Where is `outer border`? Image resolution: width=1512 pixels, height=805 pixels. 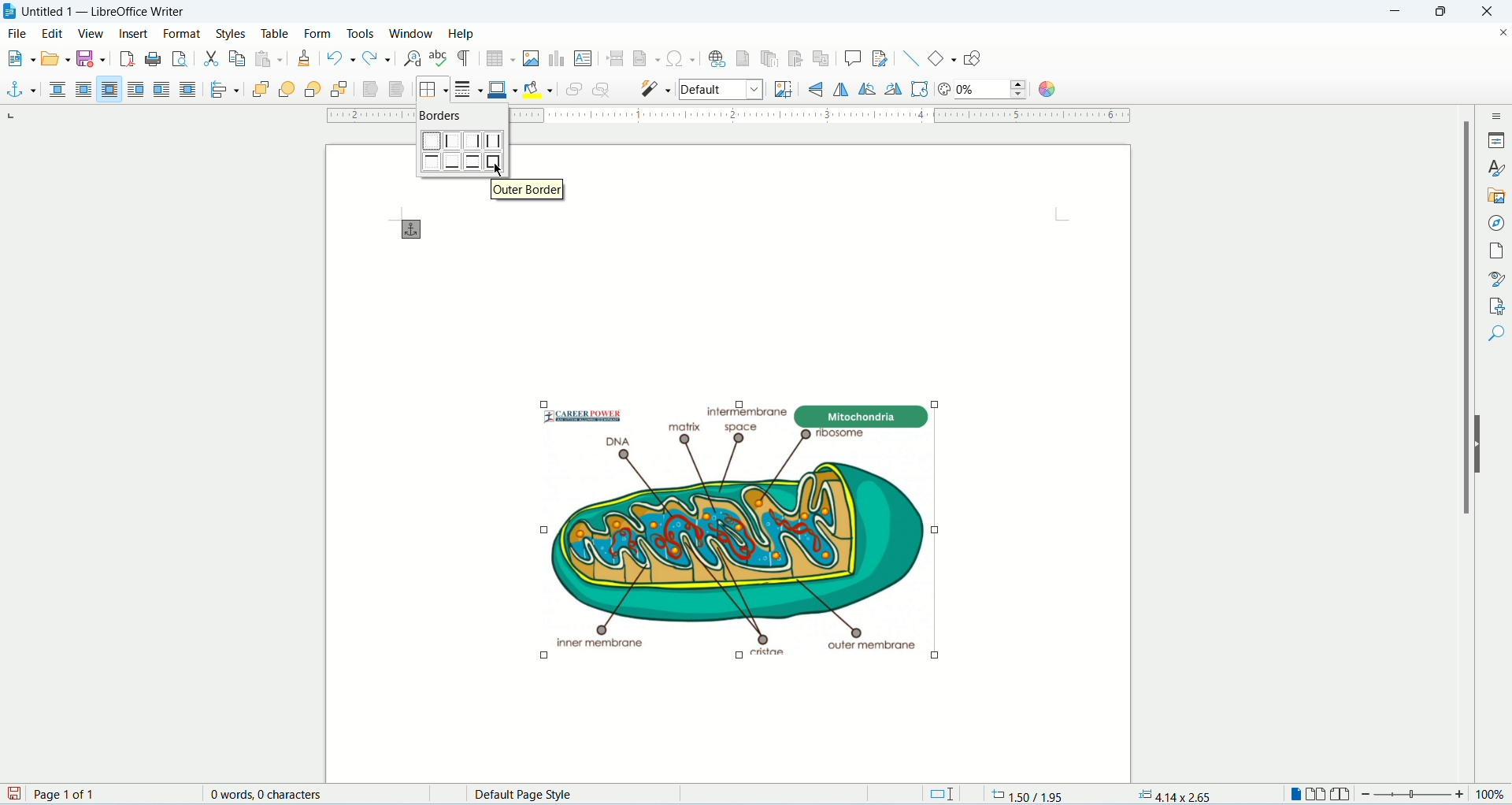 outer border is located at coordinates (494, 161).